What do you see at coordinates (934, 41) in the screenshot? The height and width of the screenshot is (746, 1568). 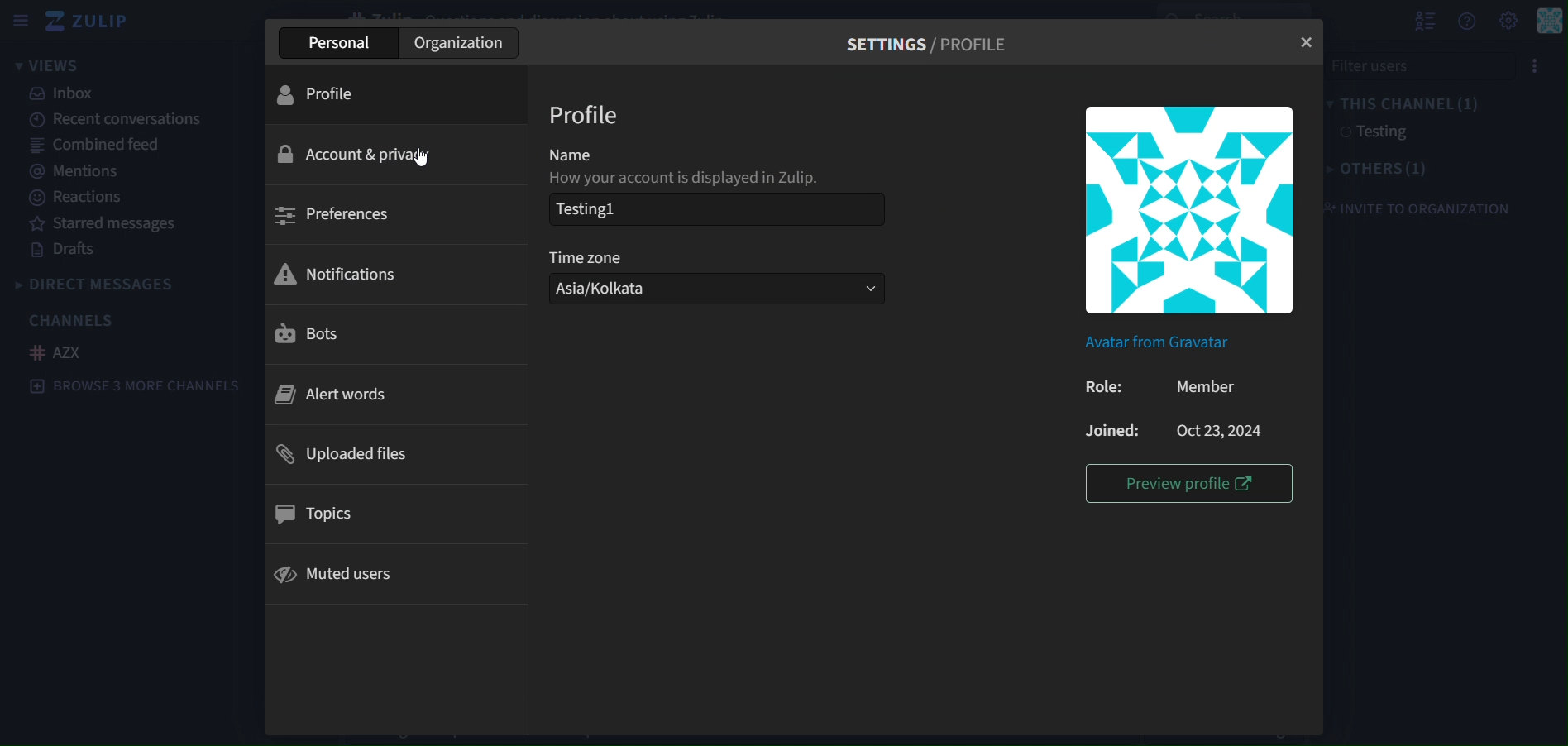 I see `settings` at bounding box center [934, 41].